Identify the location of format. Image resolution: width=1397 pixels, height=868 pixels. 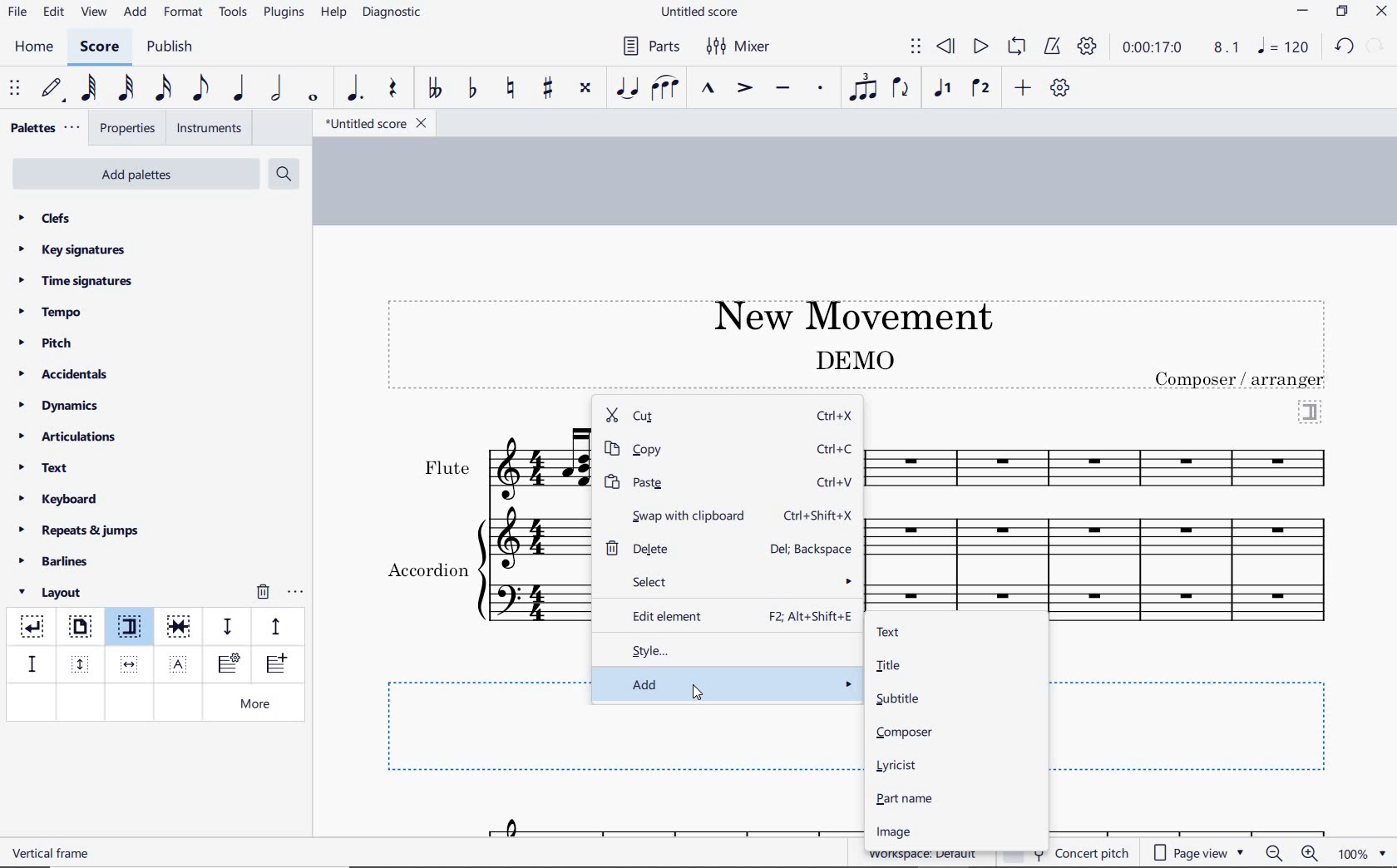
(185, 12).